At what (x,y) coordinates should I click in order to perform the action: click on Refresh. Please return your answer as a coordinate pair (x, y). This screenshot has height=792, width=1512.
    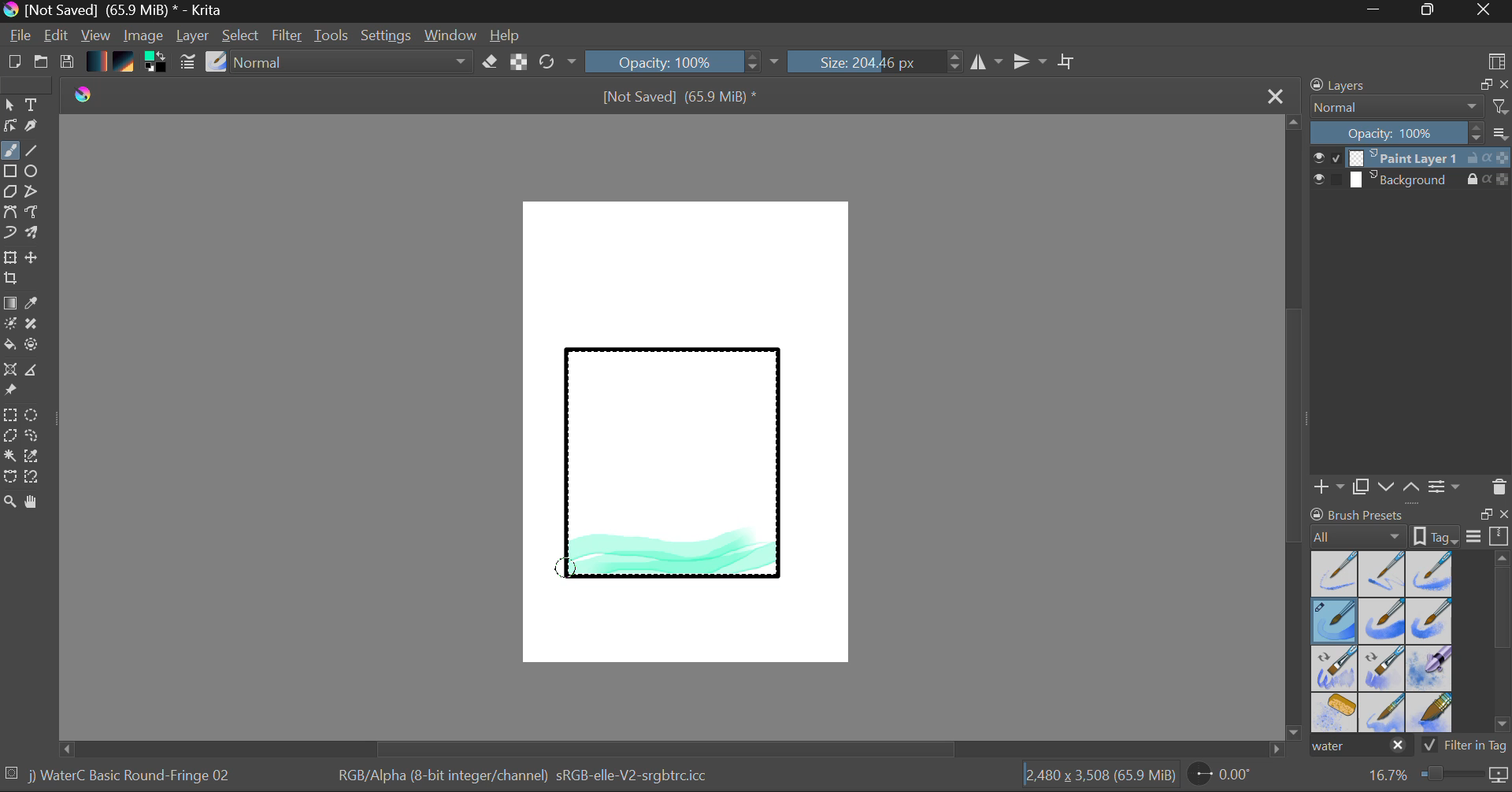
    Looking at the image, I should click on (558, 61).